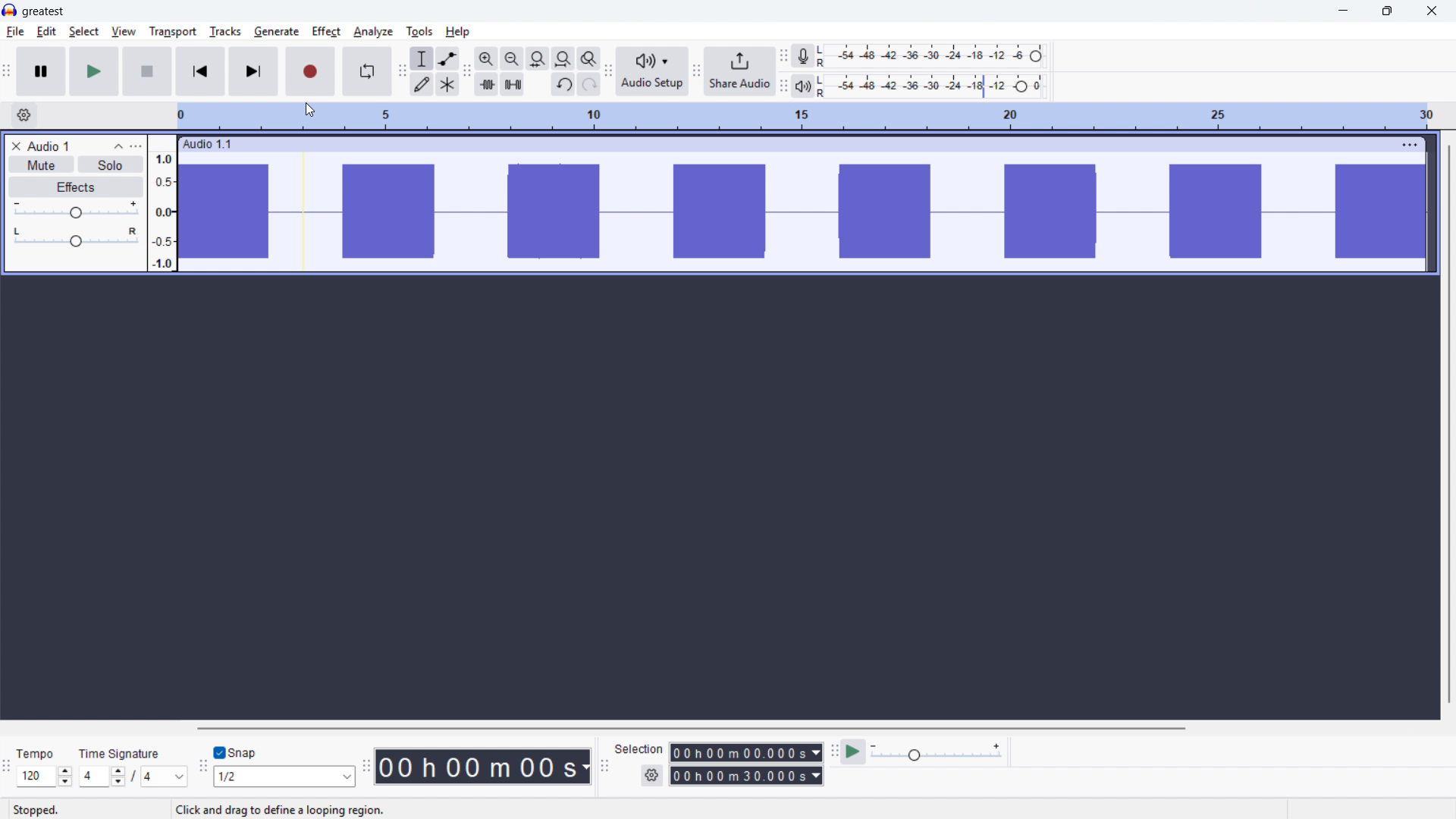  What do you see at coordinates (6, 769) in the screenshot?
I see `Time signature toolbar ` at bounding box center [6, 769].